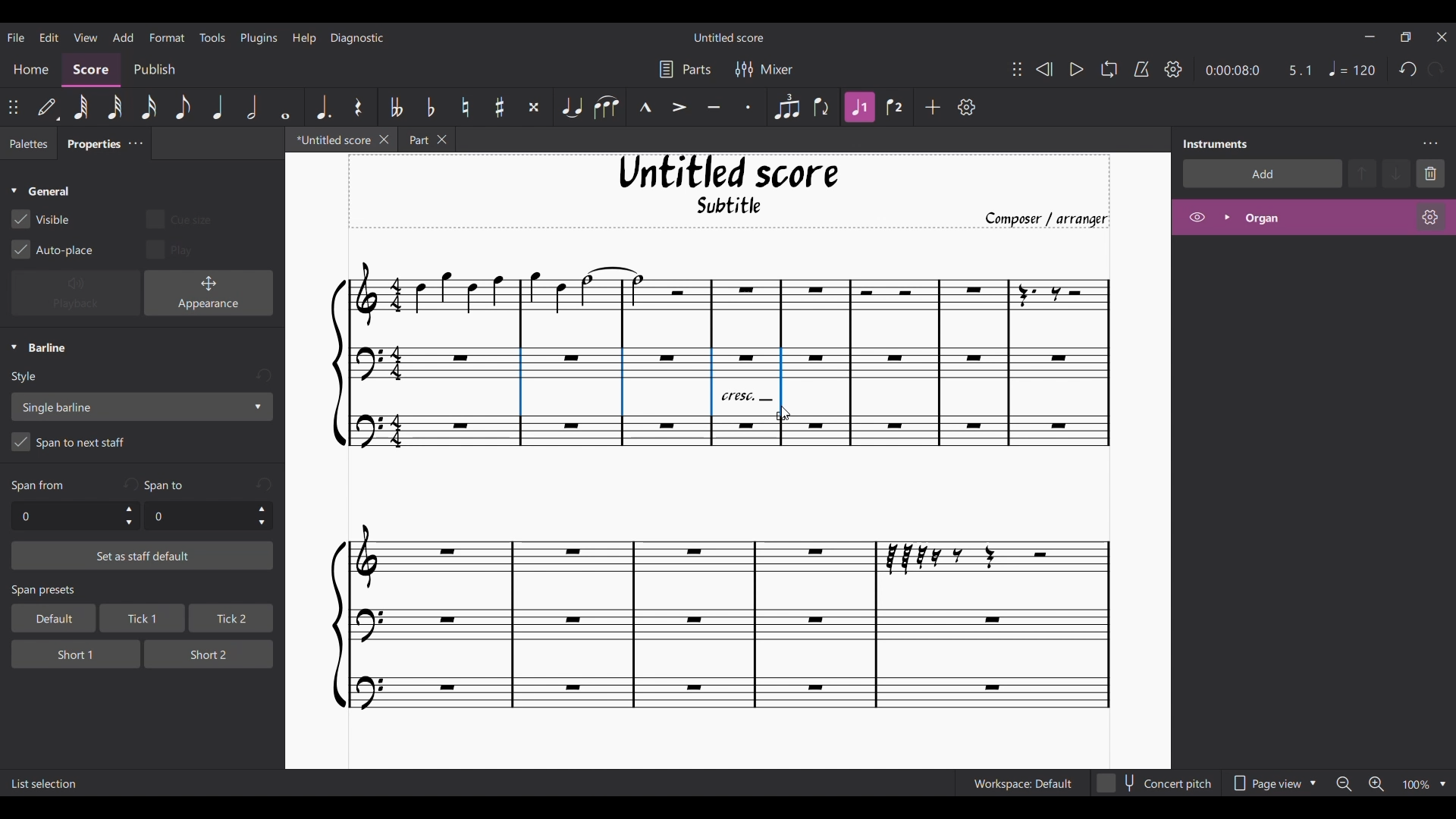  Describe the element at coordinates (116, 108) in the screenshot. I see `32nd note` at that location.